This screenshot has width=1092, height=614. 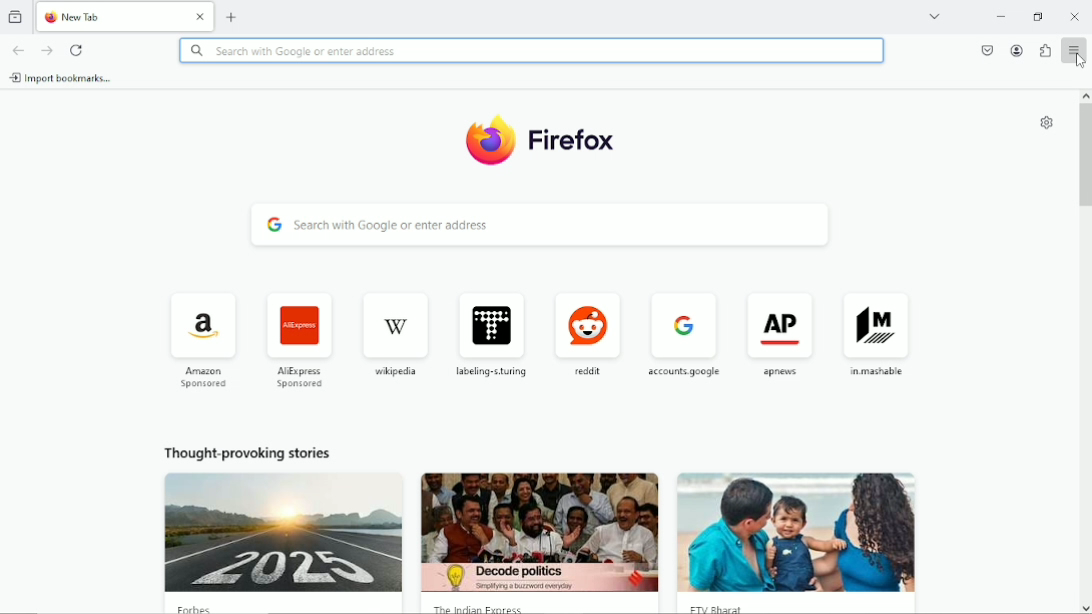 What do you see at coordinates (79, 49) in the screenshot?
I see `reload current page` at bounding box center [79, 49].